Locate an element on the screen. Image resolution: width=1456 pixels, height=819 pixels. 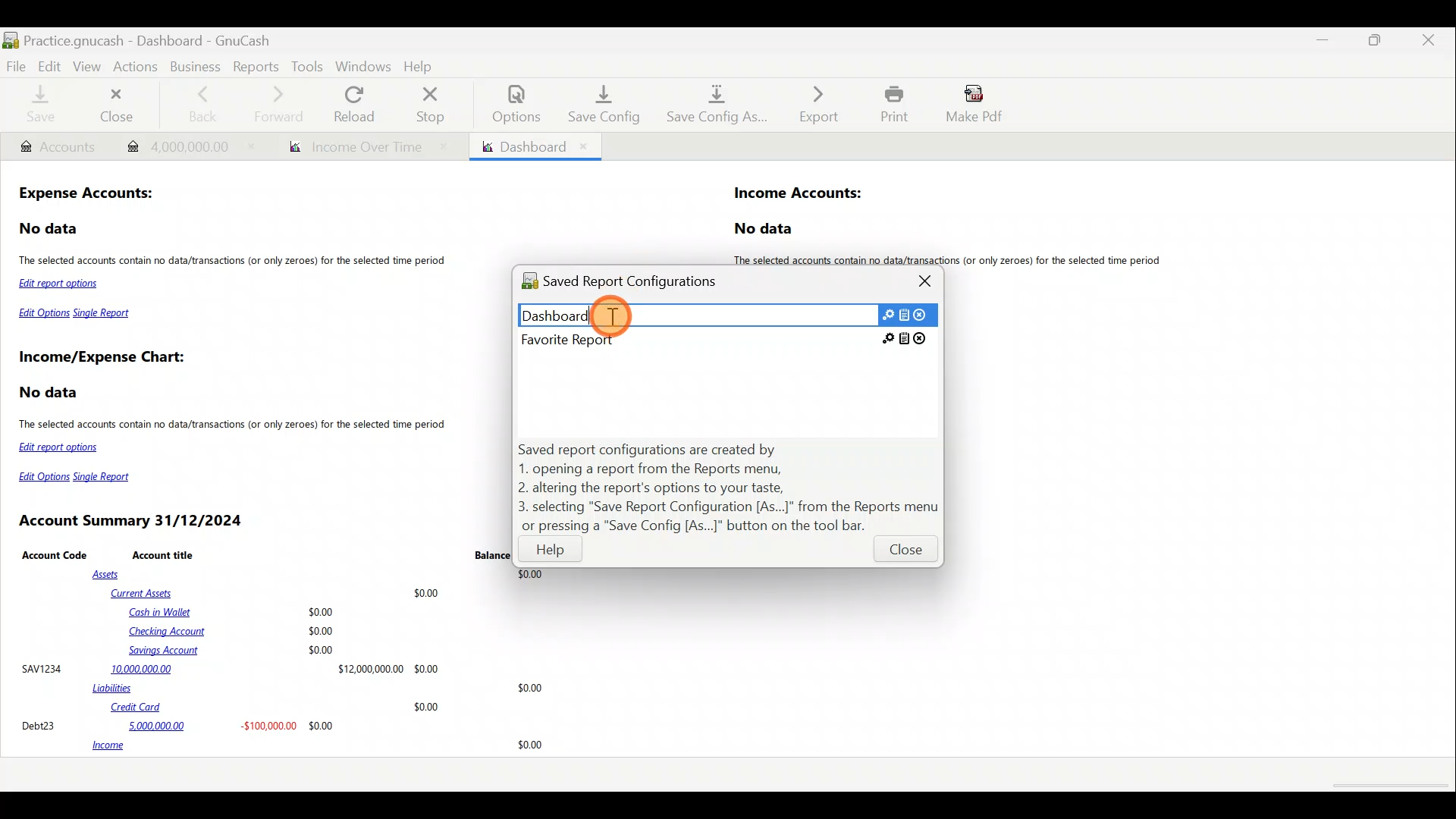
Forward is located at coordinates (284, 104).